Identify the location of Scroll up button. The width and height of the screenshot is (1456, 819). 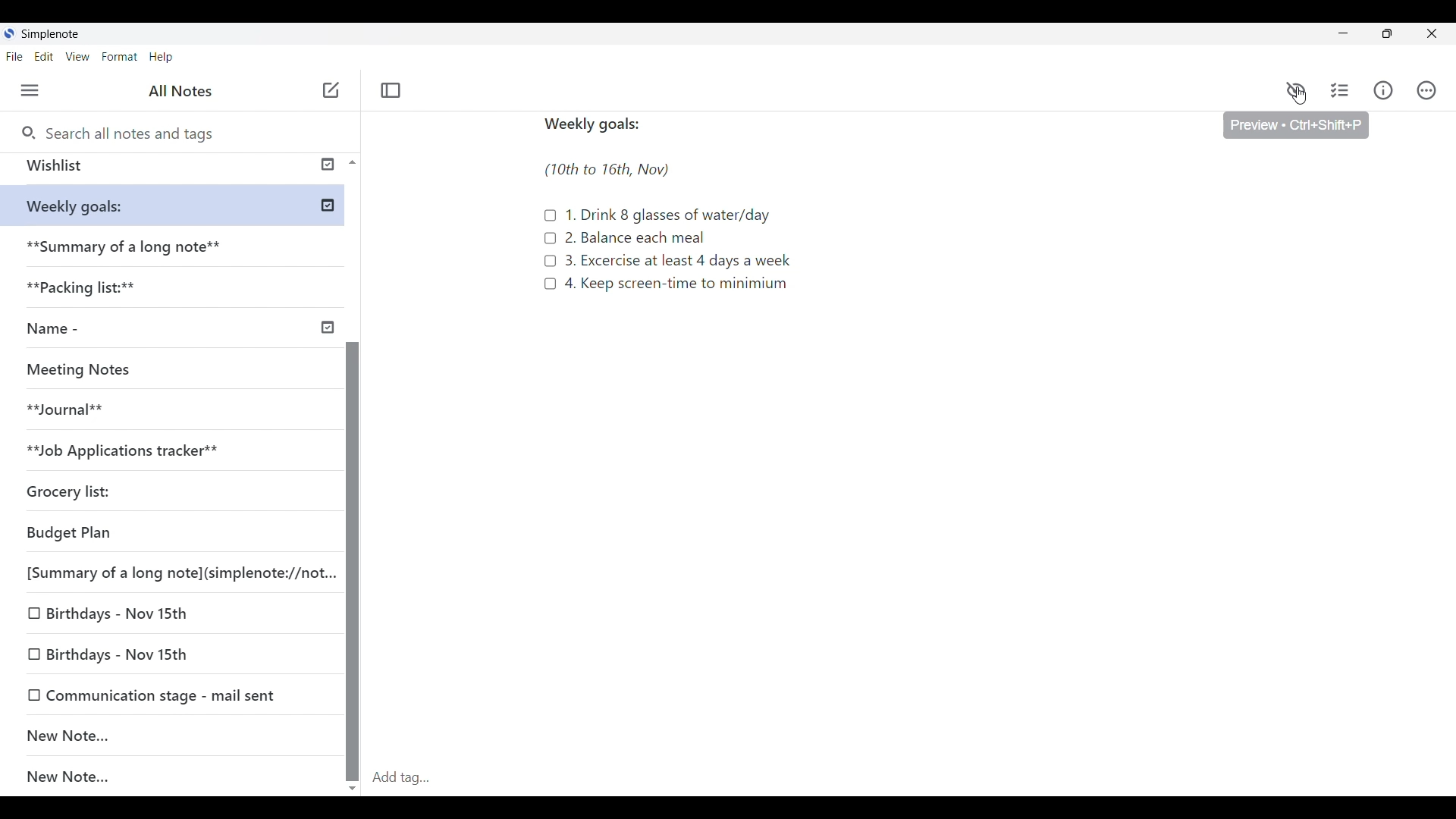
(348, 162).